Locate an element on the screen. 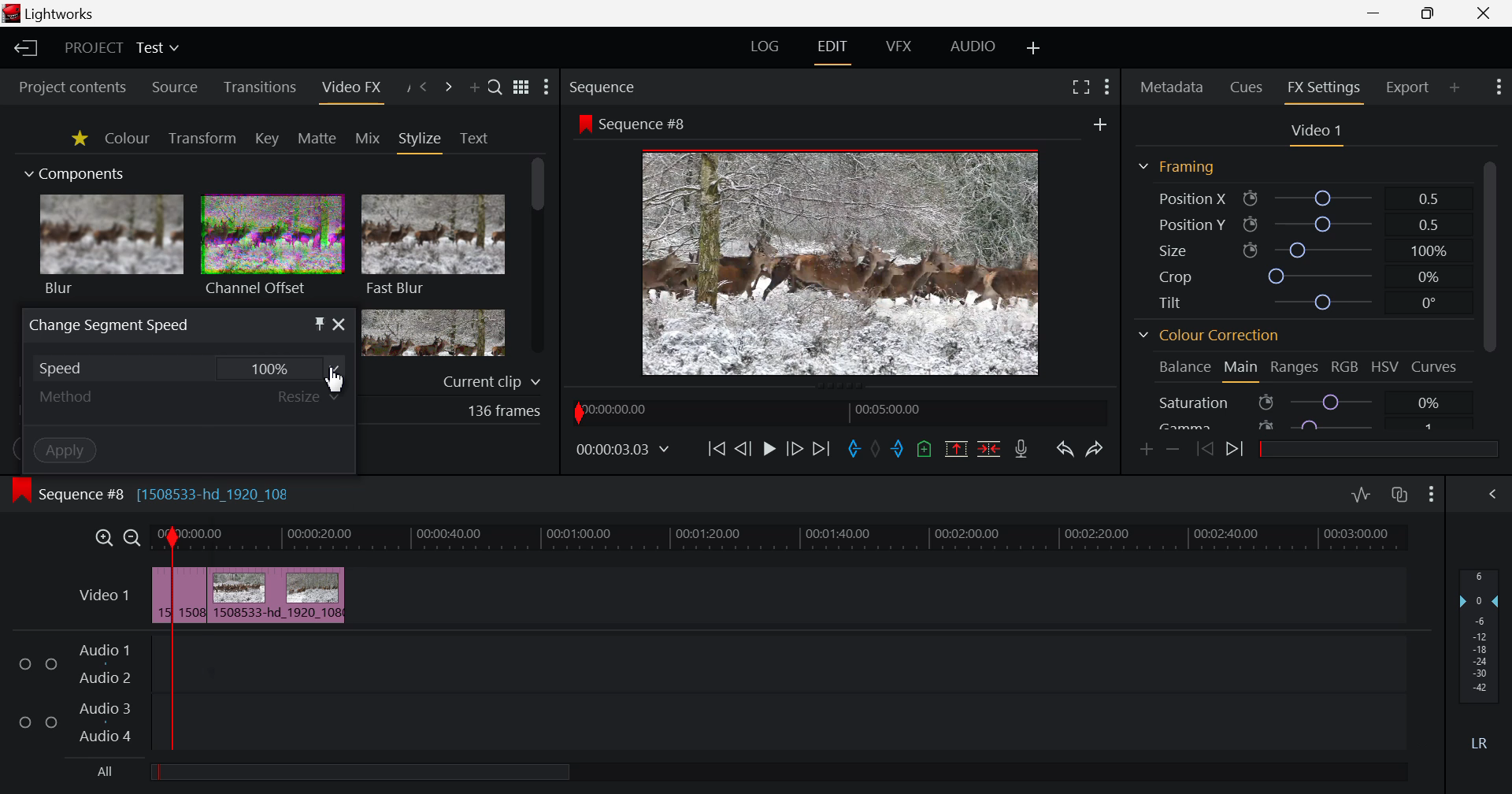 The height and width of the screenshot is (794, 1512). Curves is located at coordinates (1436, 366).